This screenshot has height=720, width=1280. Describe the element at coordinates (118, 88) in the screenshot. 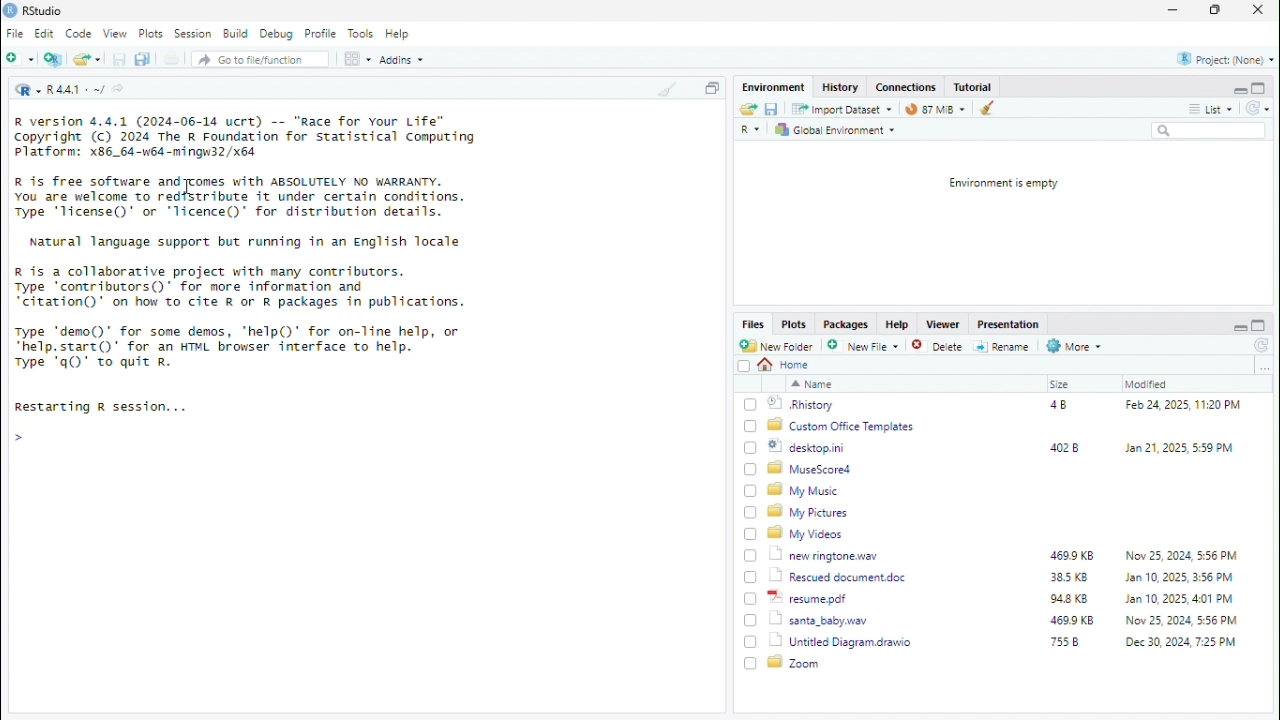

I see `share` at that location.